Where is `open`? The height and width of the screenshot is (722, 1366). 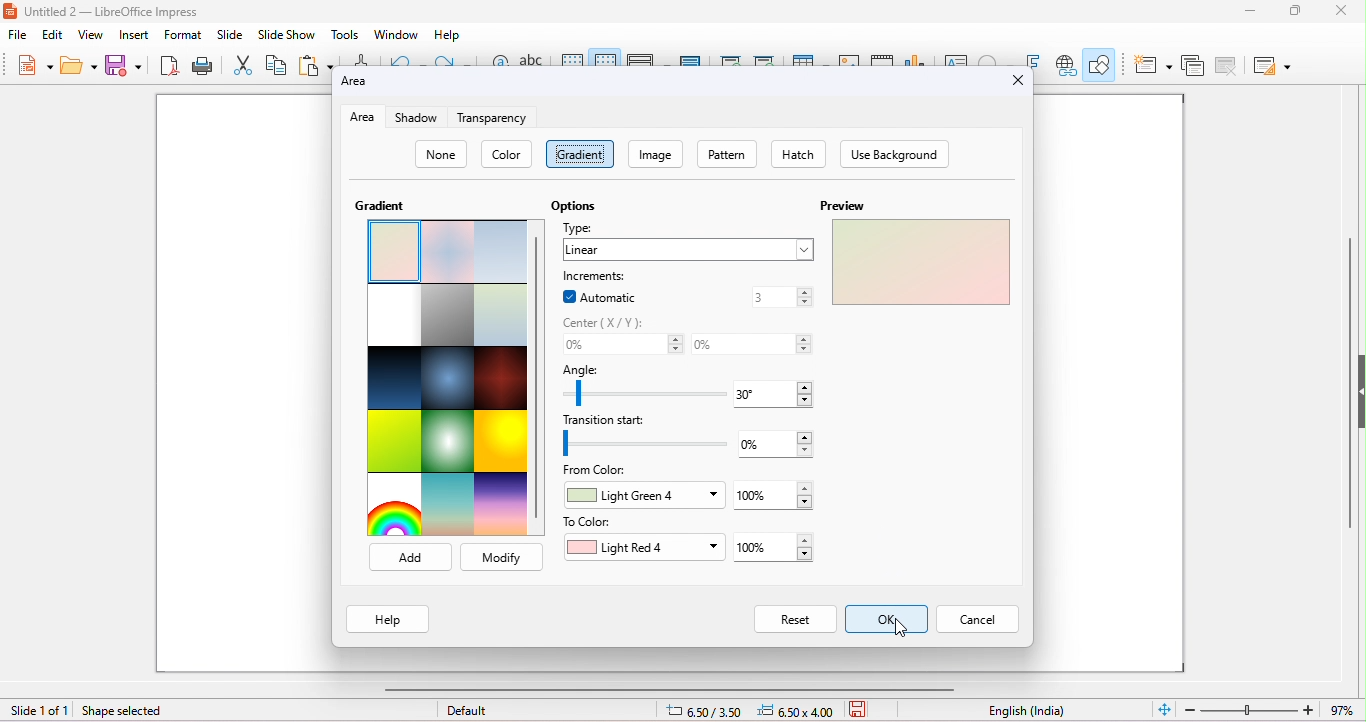
open is located at coordinates (77, 65).